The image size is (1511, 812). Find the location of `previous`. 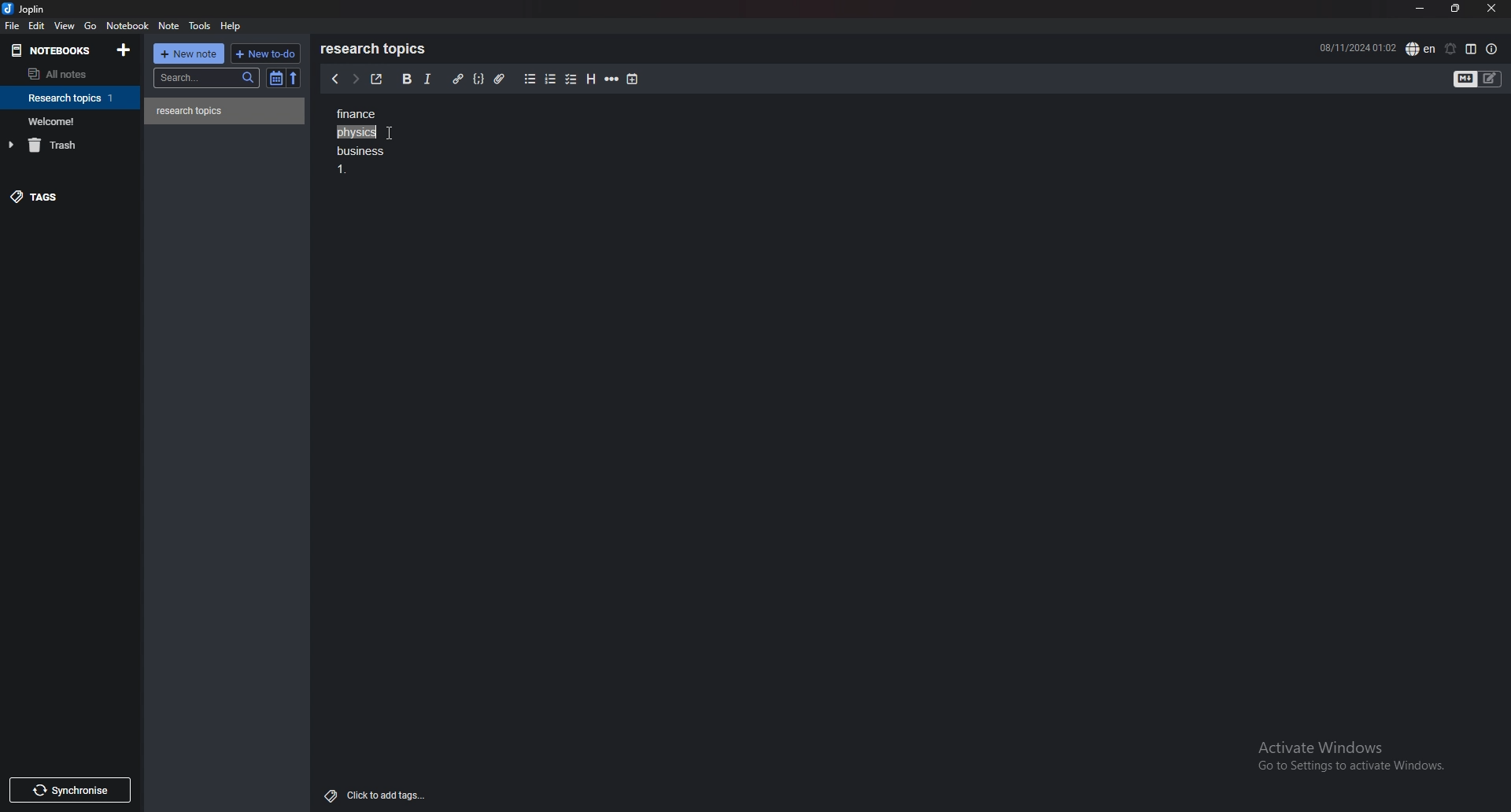

previous is located at coordinates (335, 80).